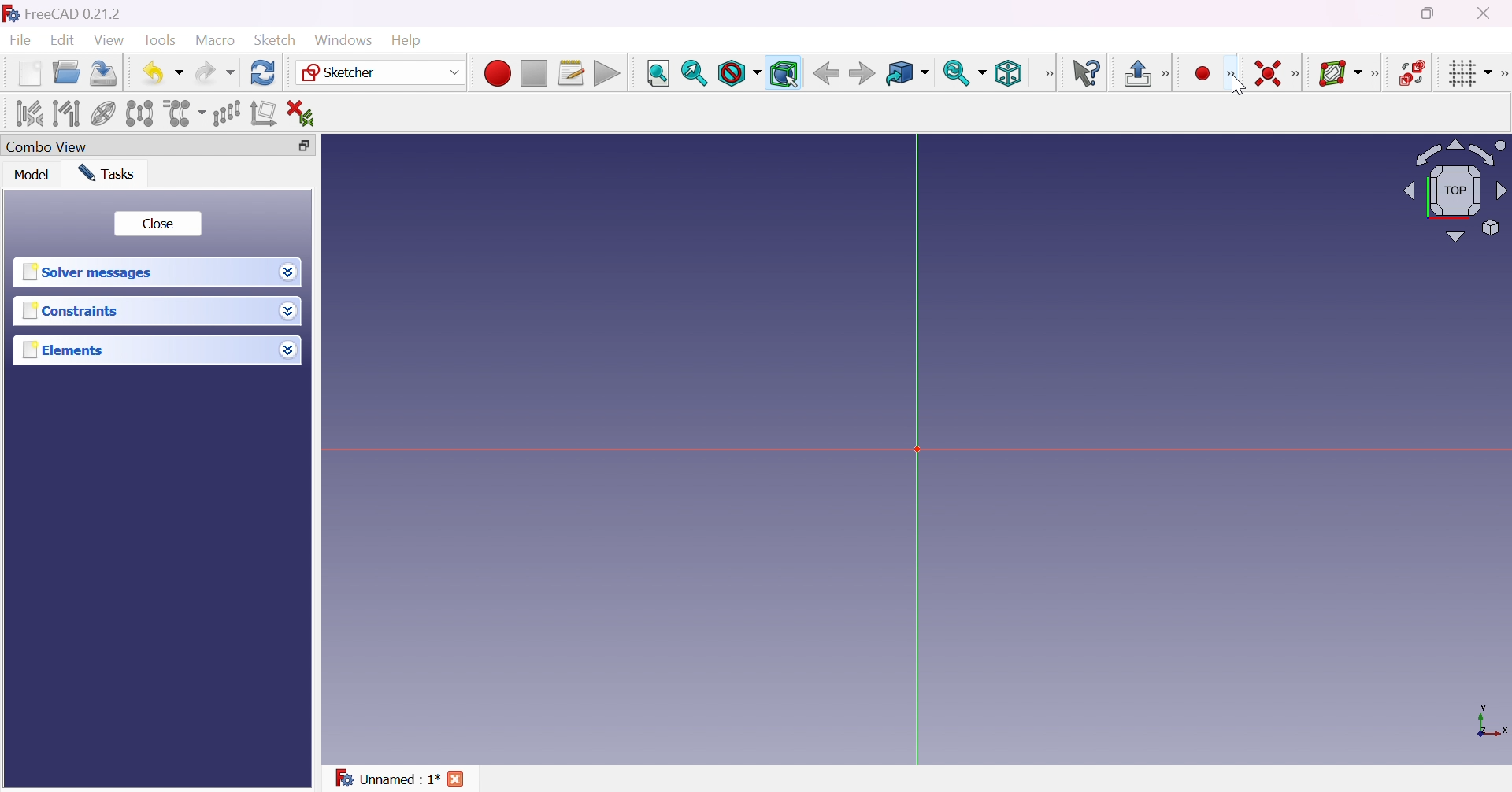 The image size is (1512, 792). I want to click on [Sketcher edit tools], so click(1503, 74).